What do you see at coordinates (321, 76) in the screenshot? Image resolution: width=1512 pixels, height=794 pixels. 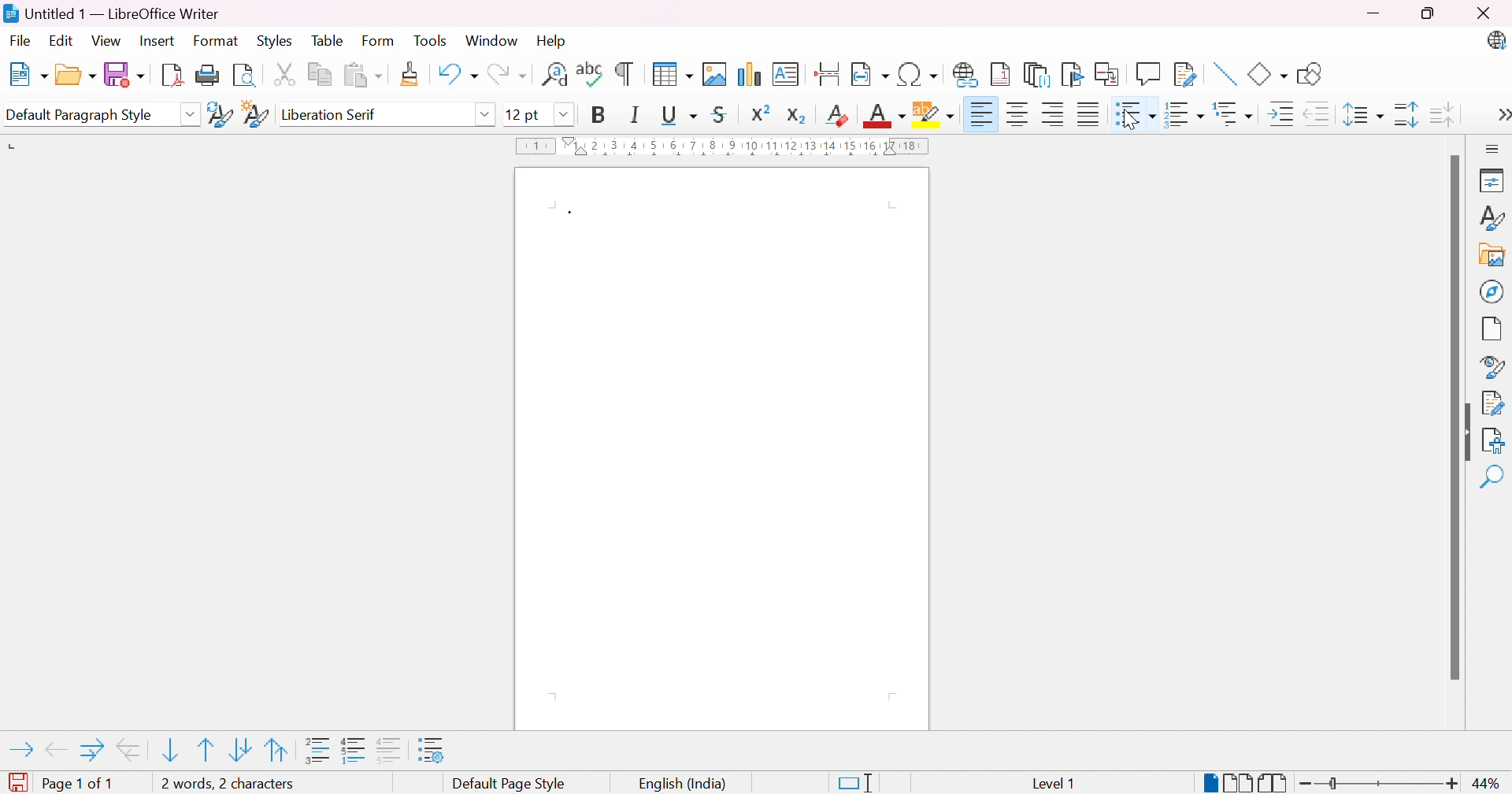 I see `Copy` at bounding box center [321, 76].